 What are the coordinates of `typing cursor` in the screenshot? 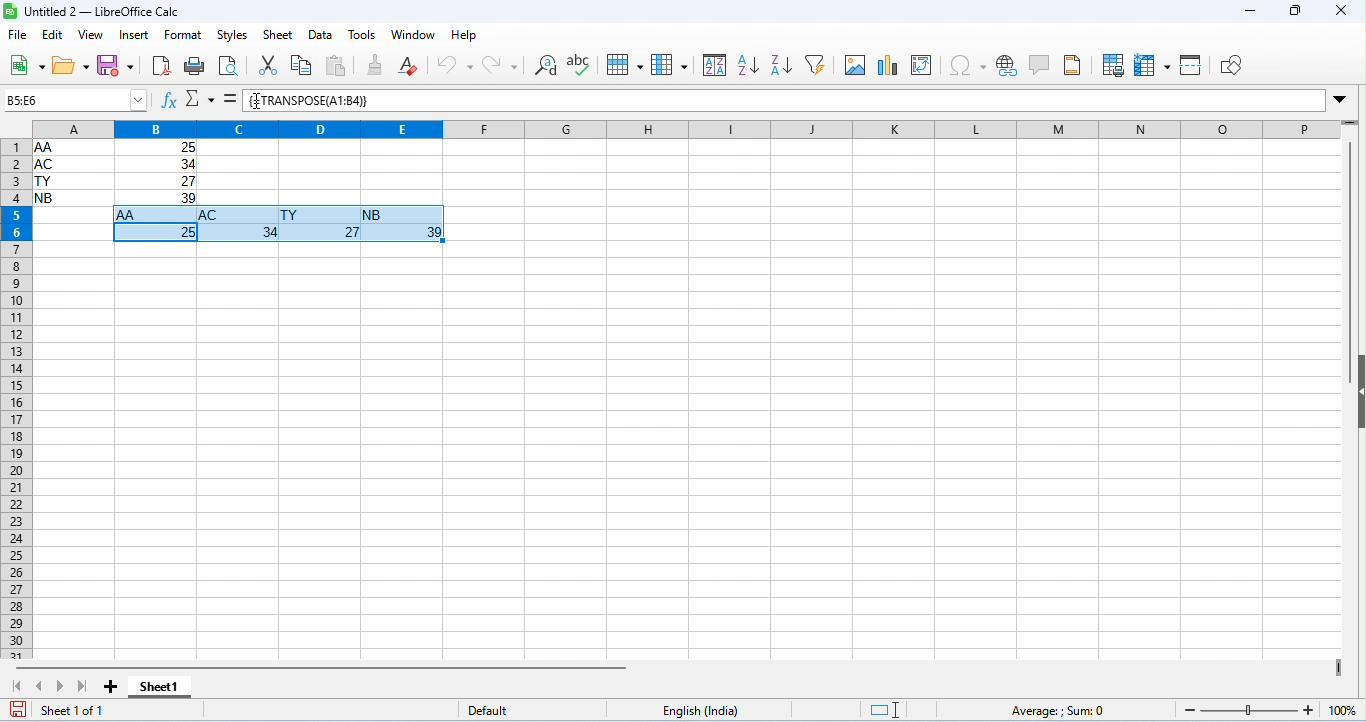 It's located at (259, 101).